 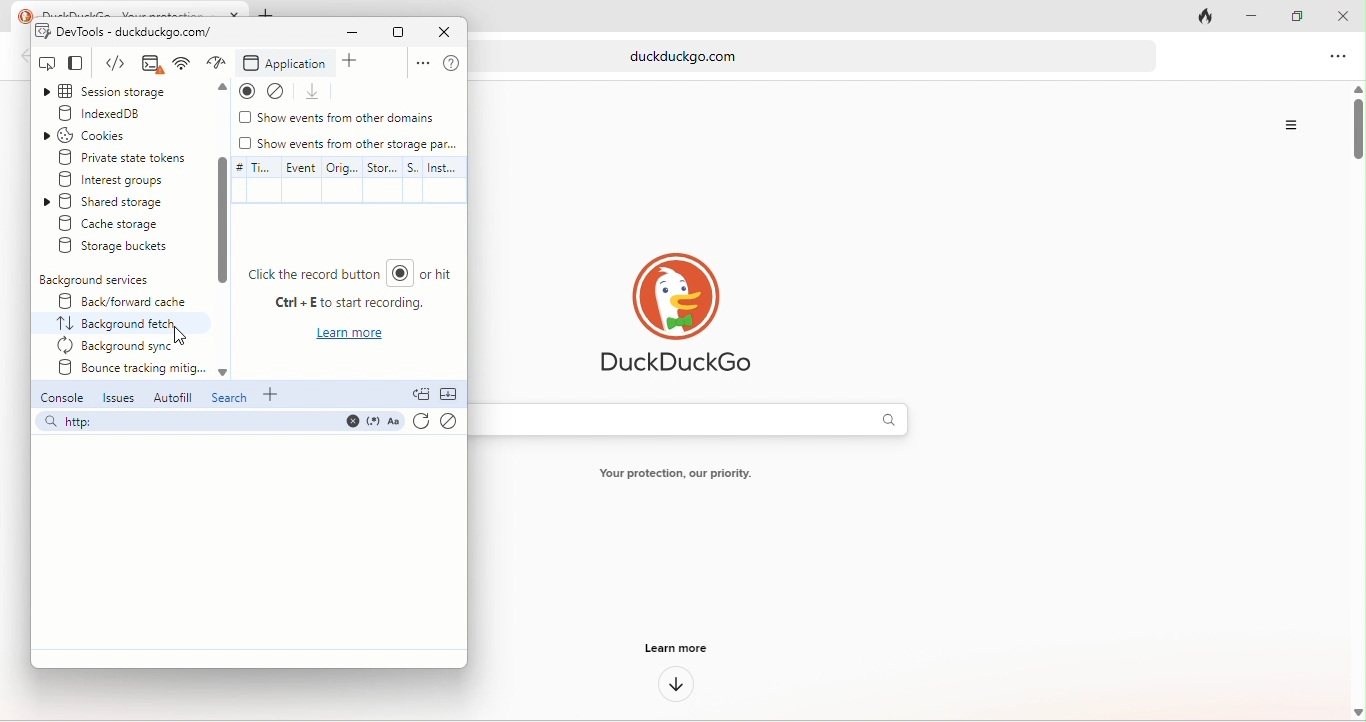 I want to click on learn more, so click(x=352, y=336).